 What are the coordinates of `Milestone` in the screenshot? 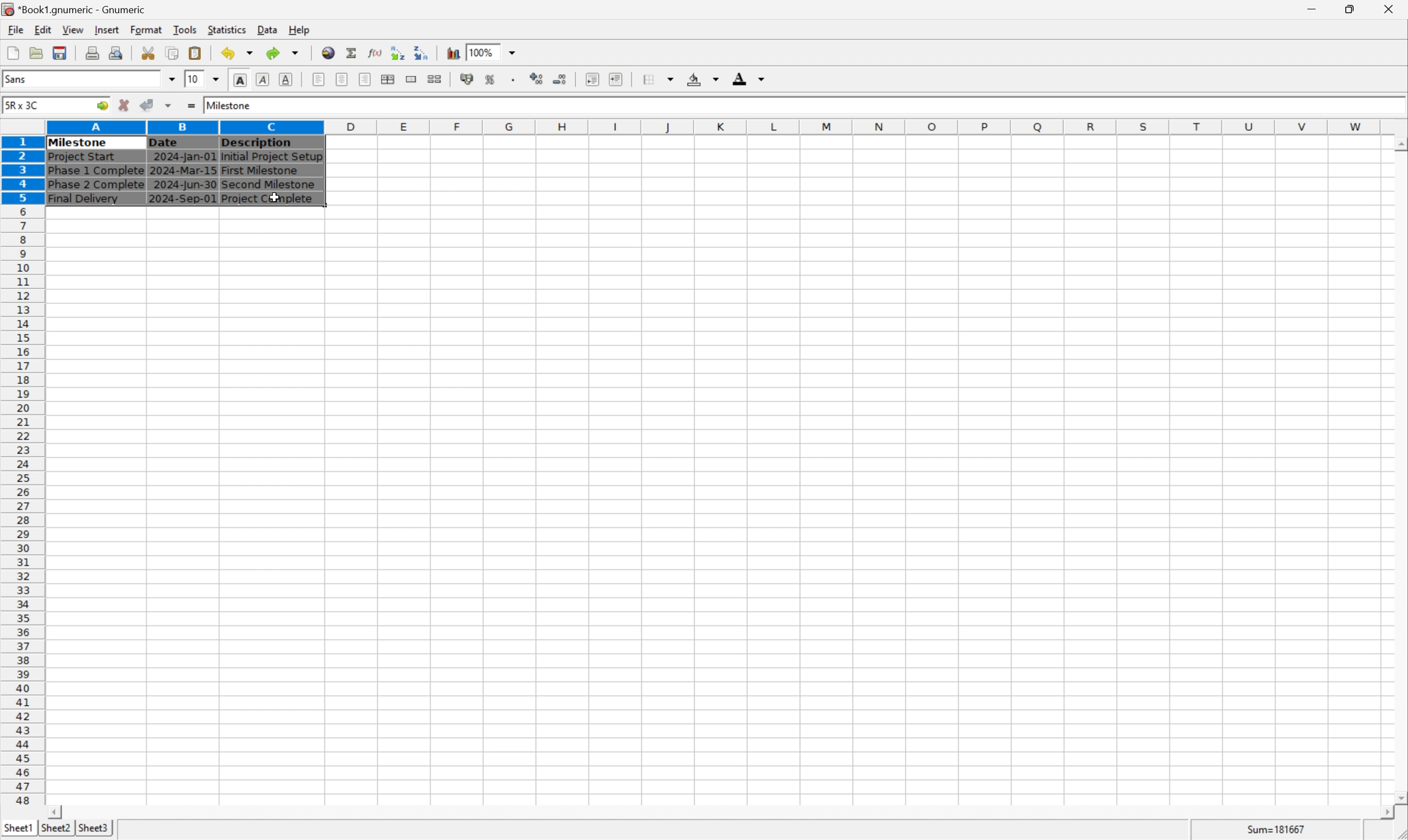 It's located at (230, 104).